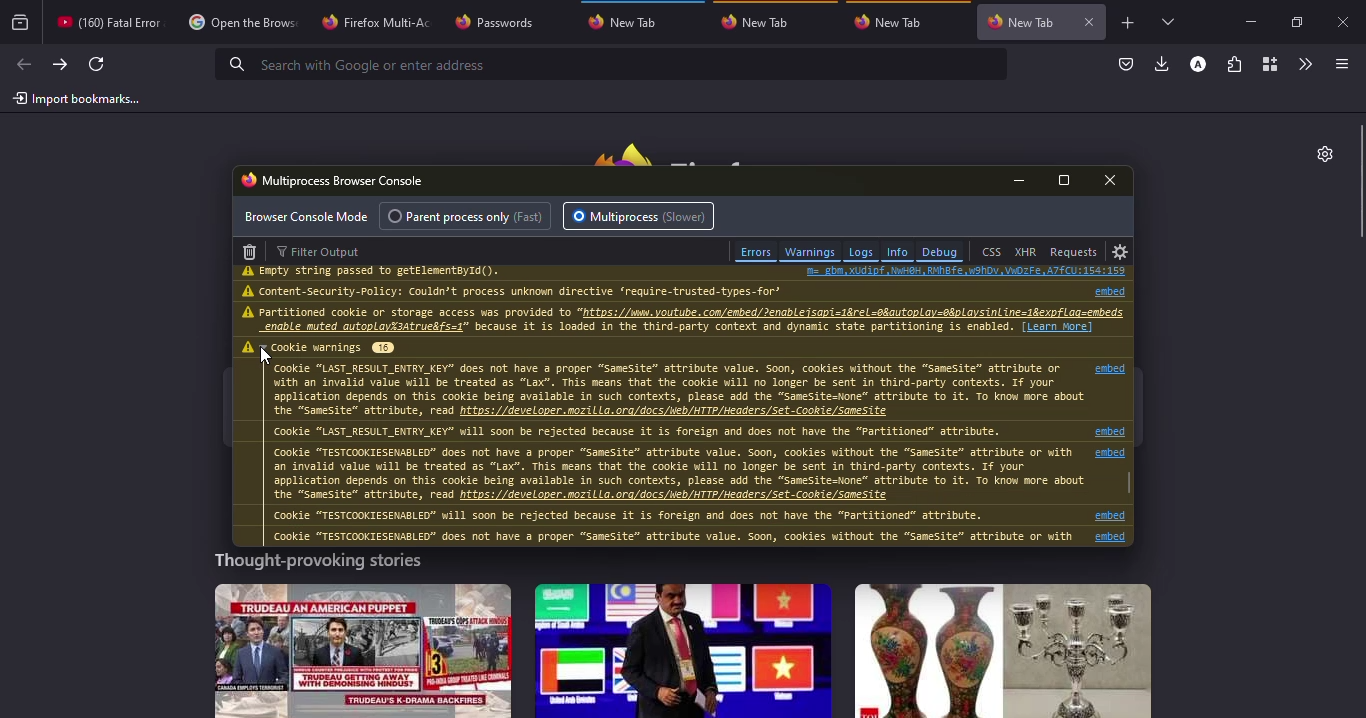  What do you see at coordinates (58, 65) in the screenshot?
I see `forward` at bounding box center [58, 65].